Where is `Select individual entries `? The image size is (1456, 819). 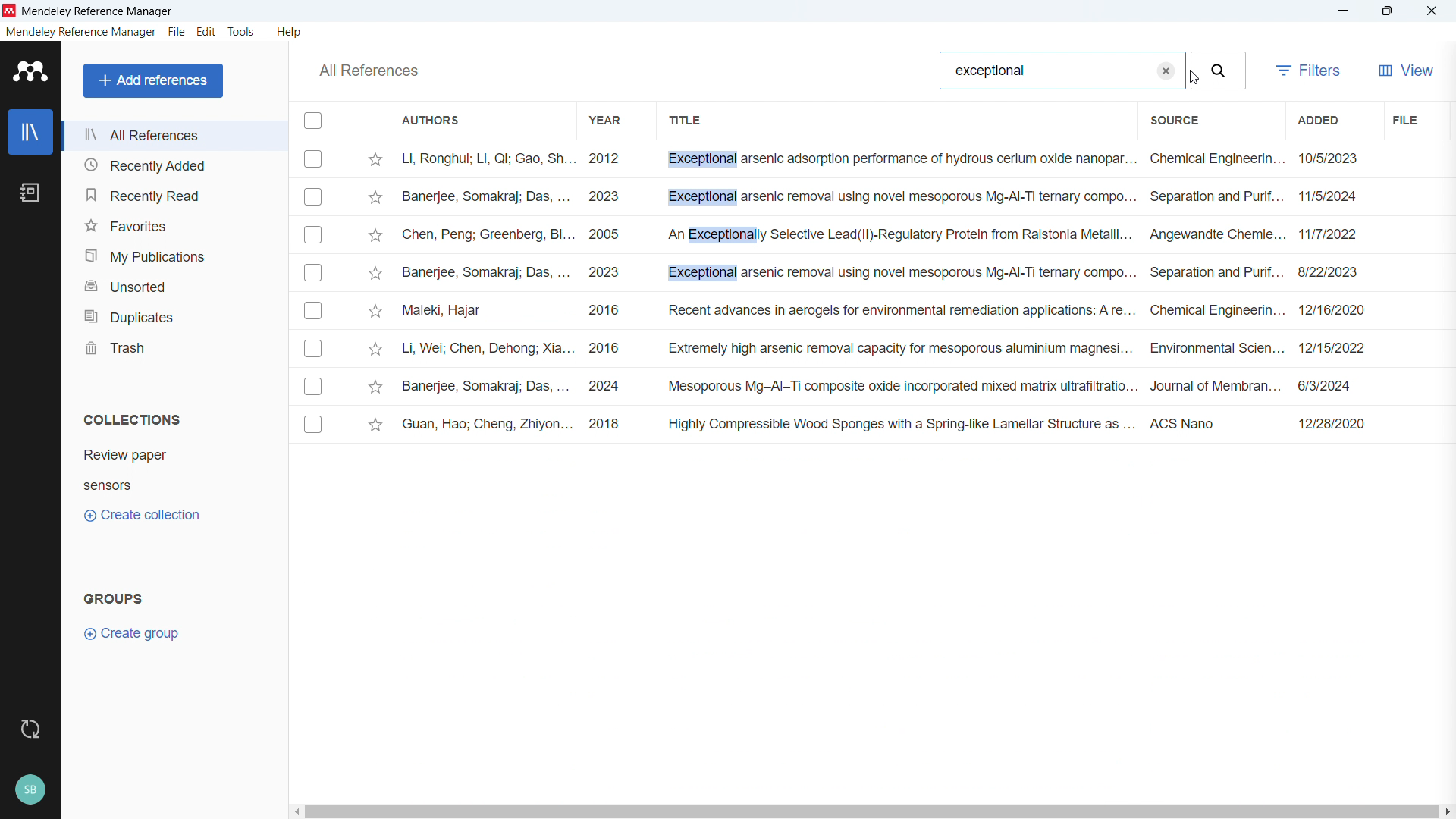
Select individual entries  is located at coordinates (315, 295).